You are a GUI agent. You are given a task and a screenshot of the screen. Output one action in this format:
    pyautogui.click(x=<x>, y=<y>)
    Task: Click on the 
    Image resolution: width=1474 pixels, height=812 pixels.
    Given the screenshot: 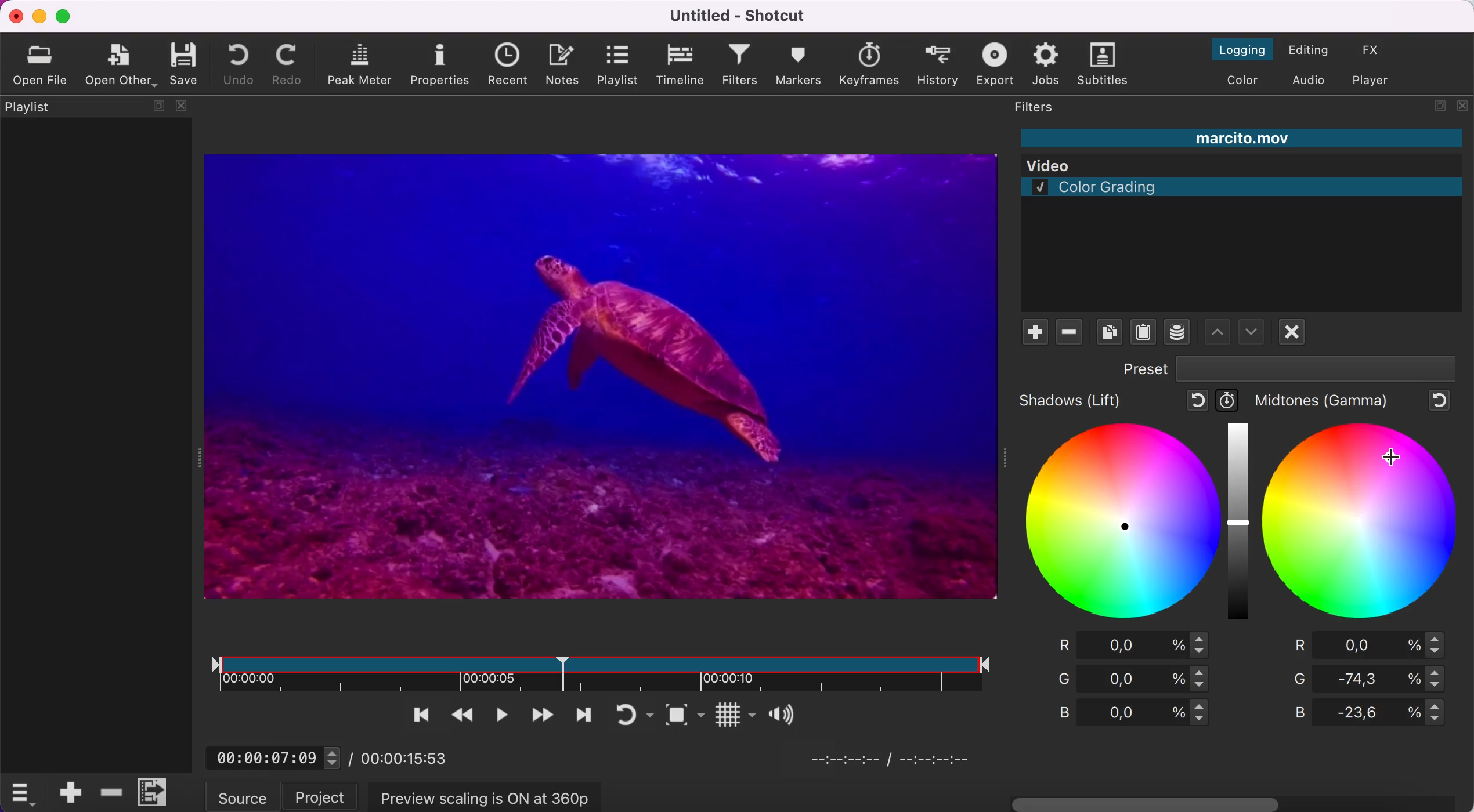 What is the action you would take?
    pyautogui.click(x=718, y=713)
    